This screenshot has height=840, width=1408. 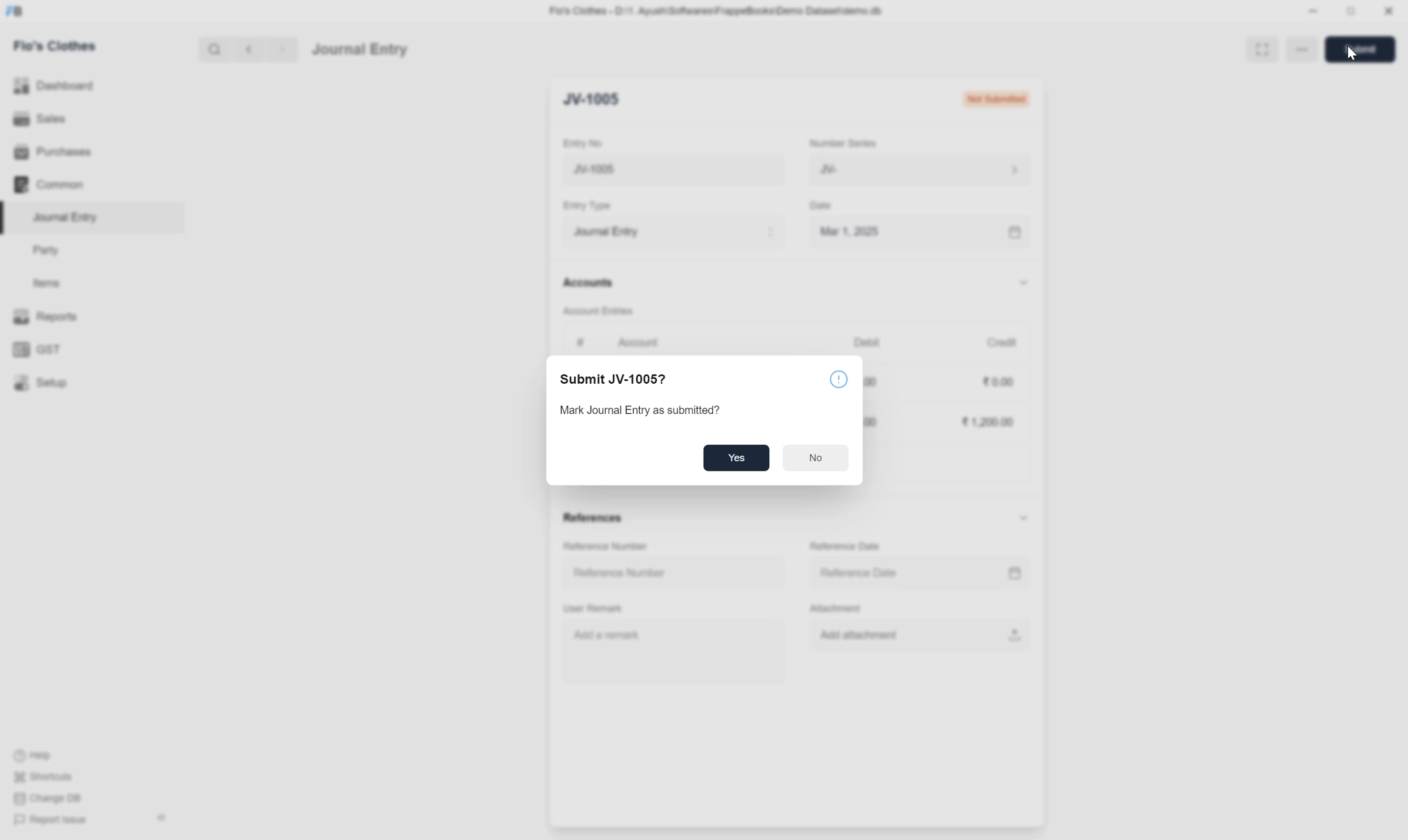 I want to click on upload, so click(x=1012, y=635).